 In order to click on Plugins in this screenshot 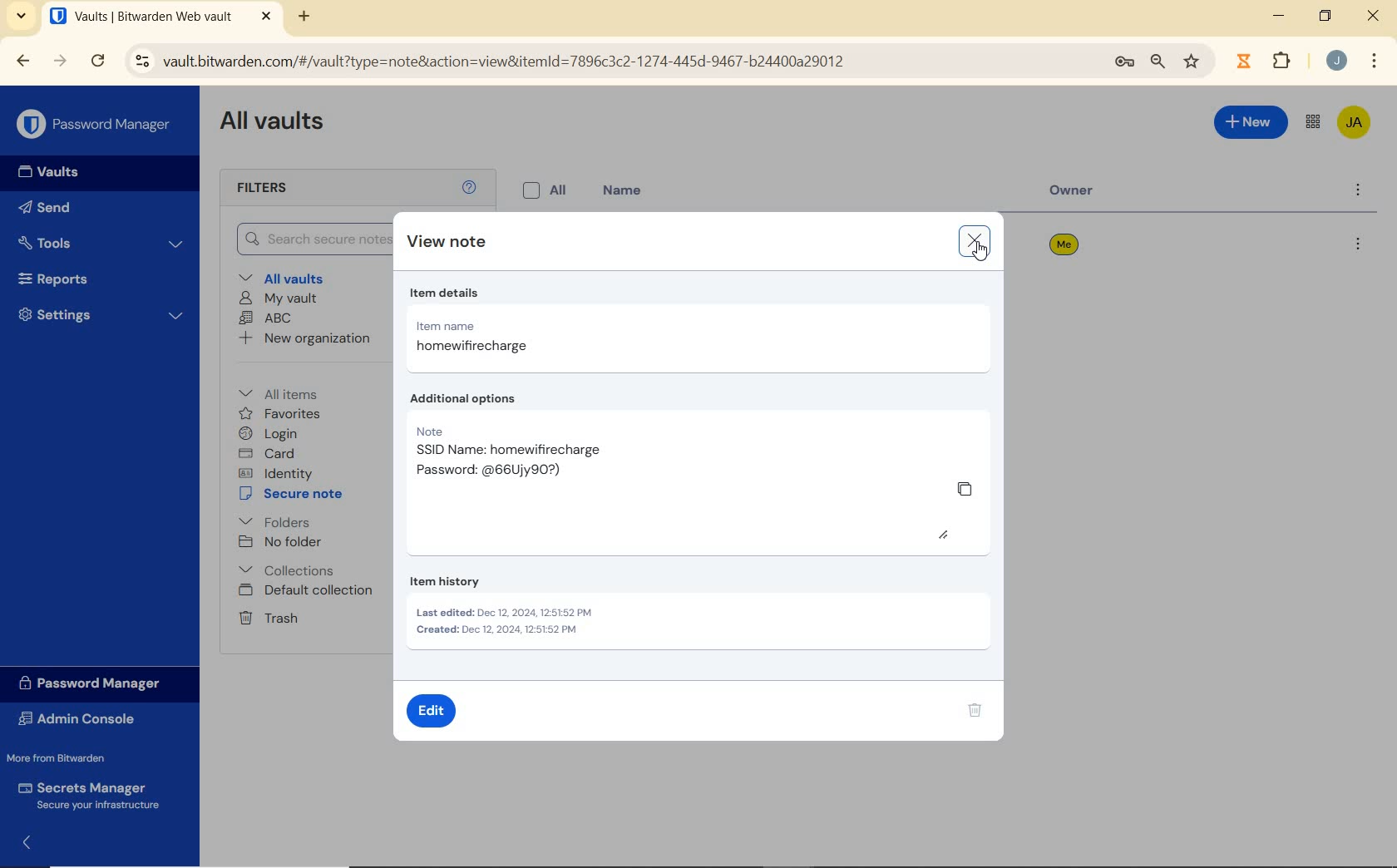, I will do `click(1285, 59)`.